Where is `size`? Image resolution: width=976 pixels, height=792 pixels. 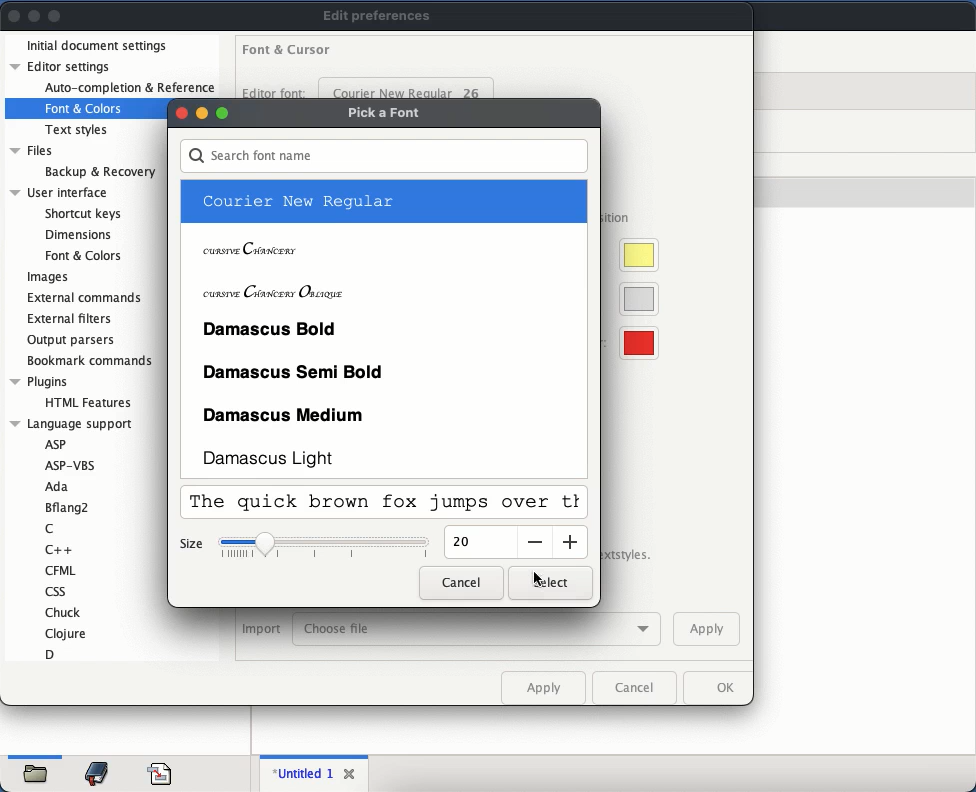
size is located at coordinates (468, 543).